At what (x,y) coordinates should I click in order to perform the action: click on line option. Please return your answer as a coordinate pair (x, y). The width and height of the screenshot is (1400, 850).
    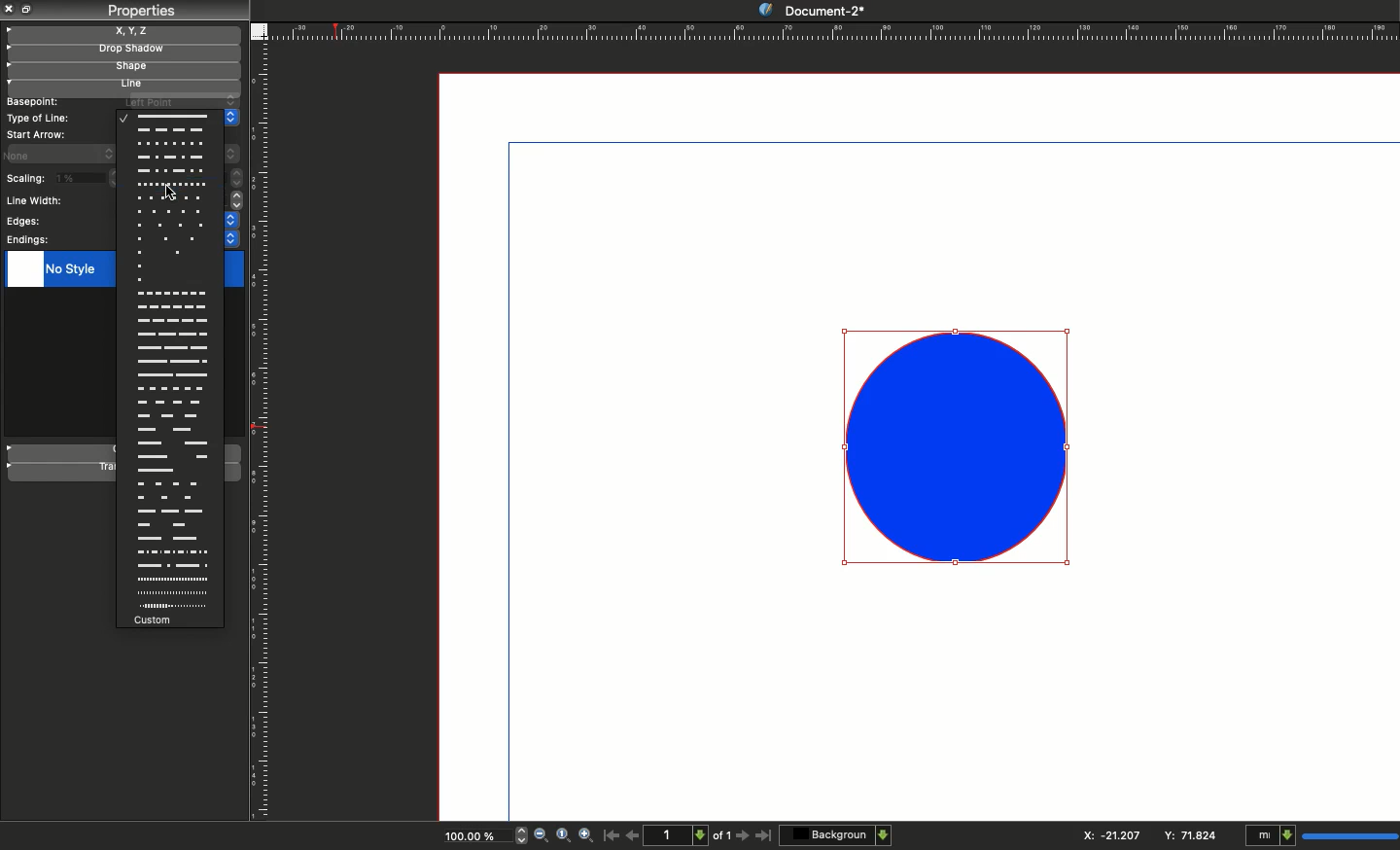
    Looking at the image, I should click on (171, 211).